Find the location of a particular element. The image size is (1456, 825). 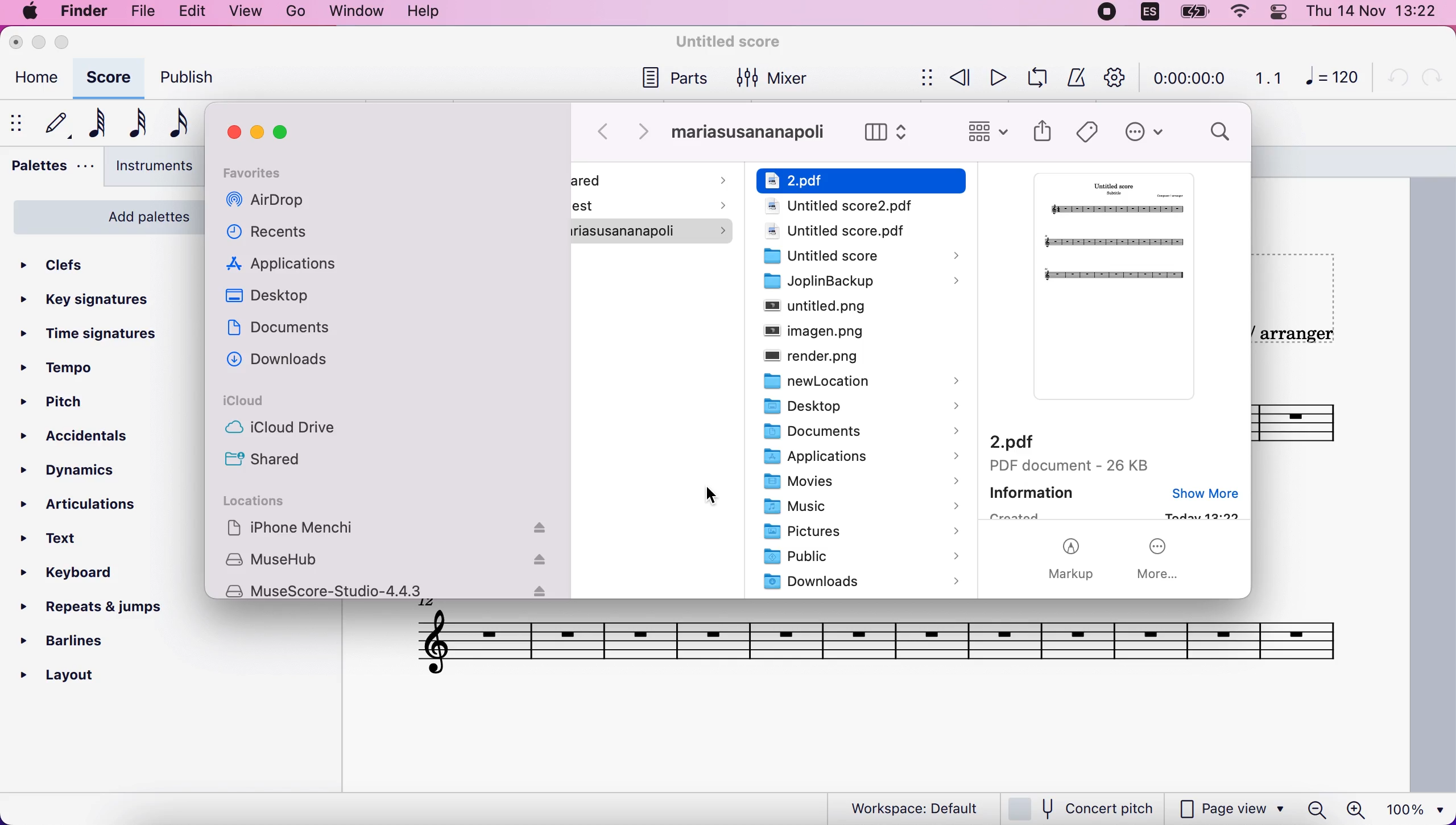

100% is located at coordinates (1418, 808).